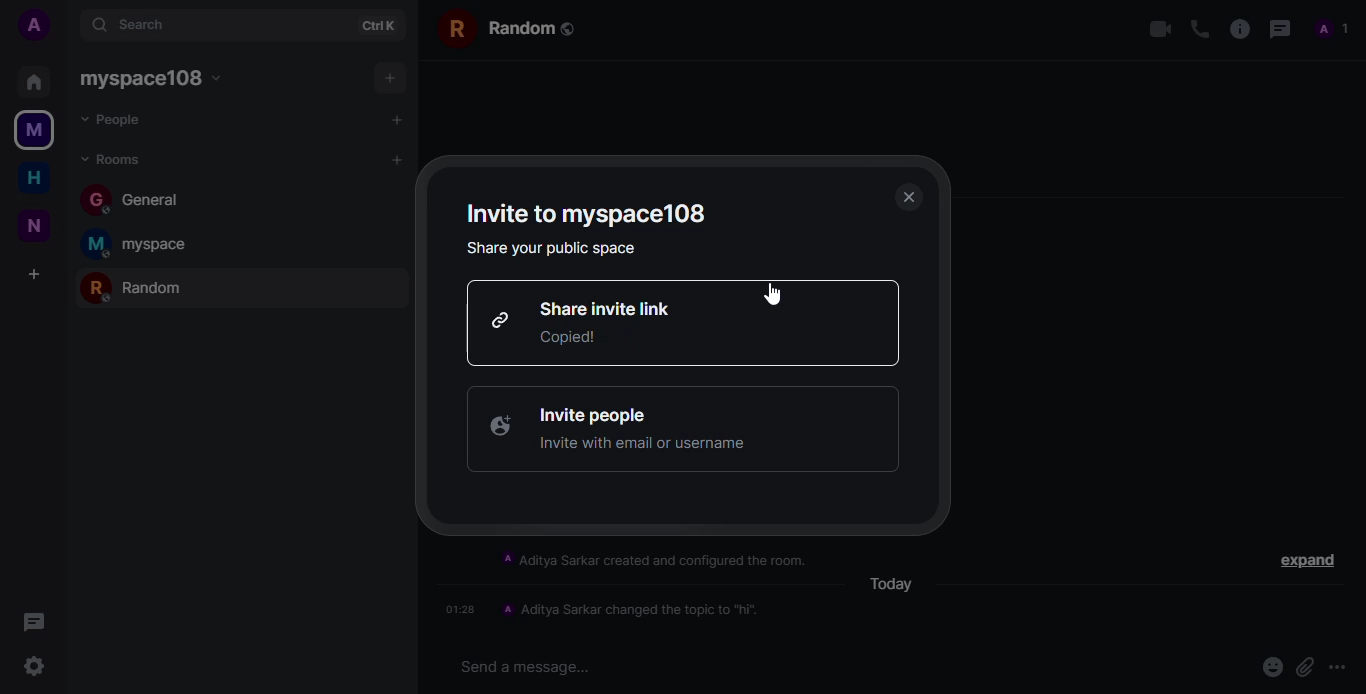 This screenshot has width=1366, height=694. Describe the element at coordinates (1198, 30) in the screenshot. I see `voice call` at that location.